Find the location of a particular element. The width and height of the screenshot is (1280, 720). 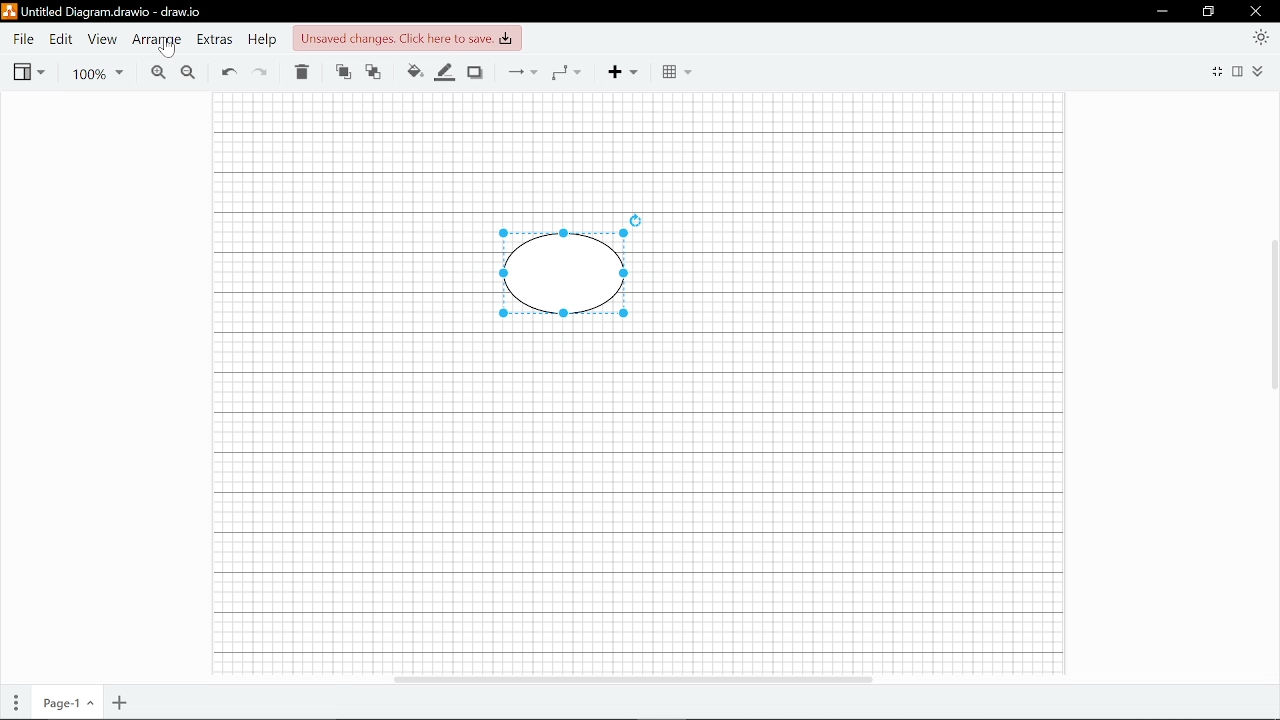

Zoom out is located at coordinates (188, 73).